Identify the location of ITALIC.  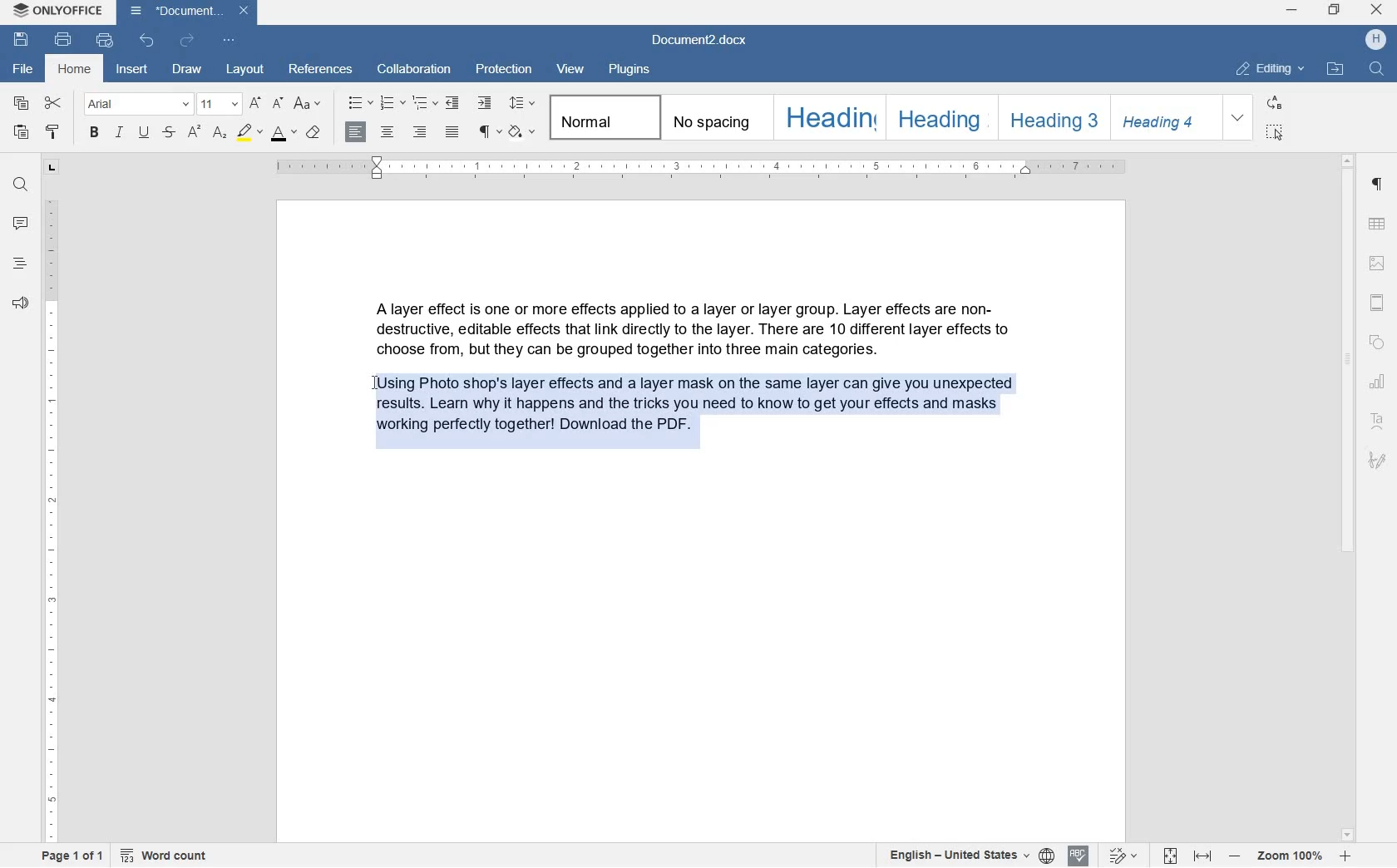
(118, 134).